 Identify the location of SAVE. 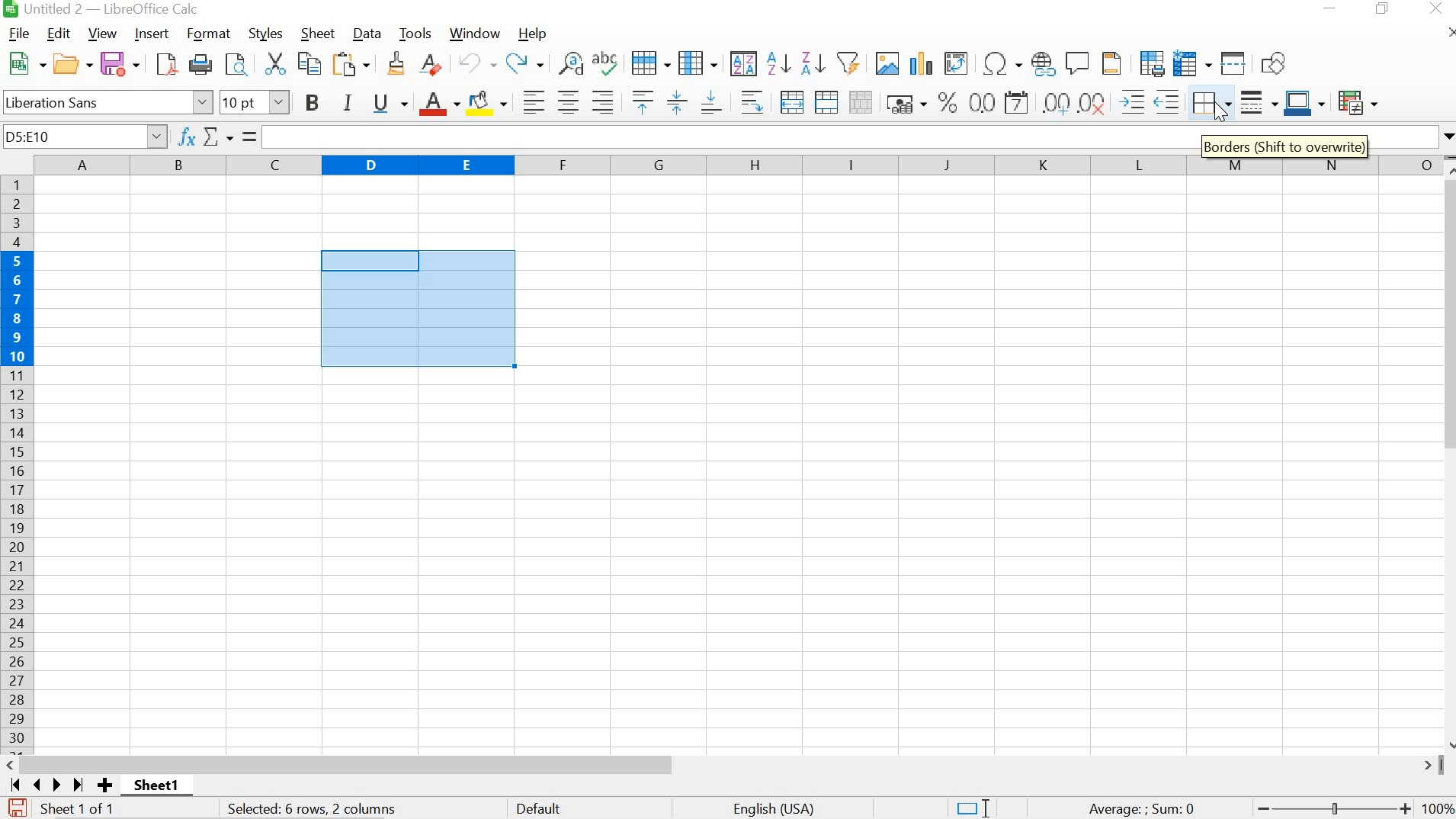
(15, 808).